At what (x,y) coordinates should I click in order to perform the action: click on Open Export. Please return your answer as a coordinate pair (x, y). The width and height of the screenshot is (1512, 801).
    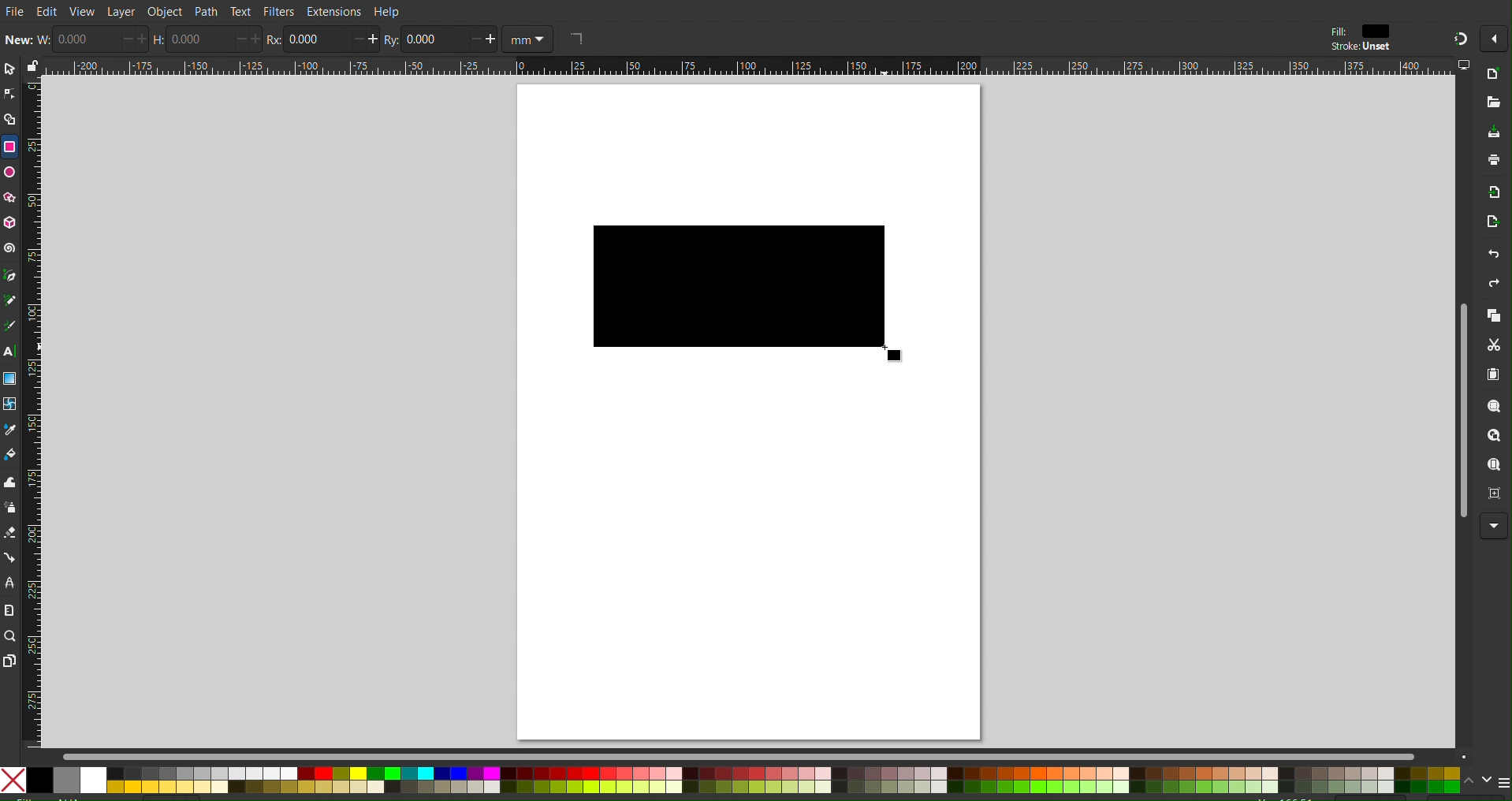
    Looking at the image, I should click on (1485, 225).